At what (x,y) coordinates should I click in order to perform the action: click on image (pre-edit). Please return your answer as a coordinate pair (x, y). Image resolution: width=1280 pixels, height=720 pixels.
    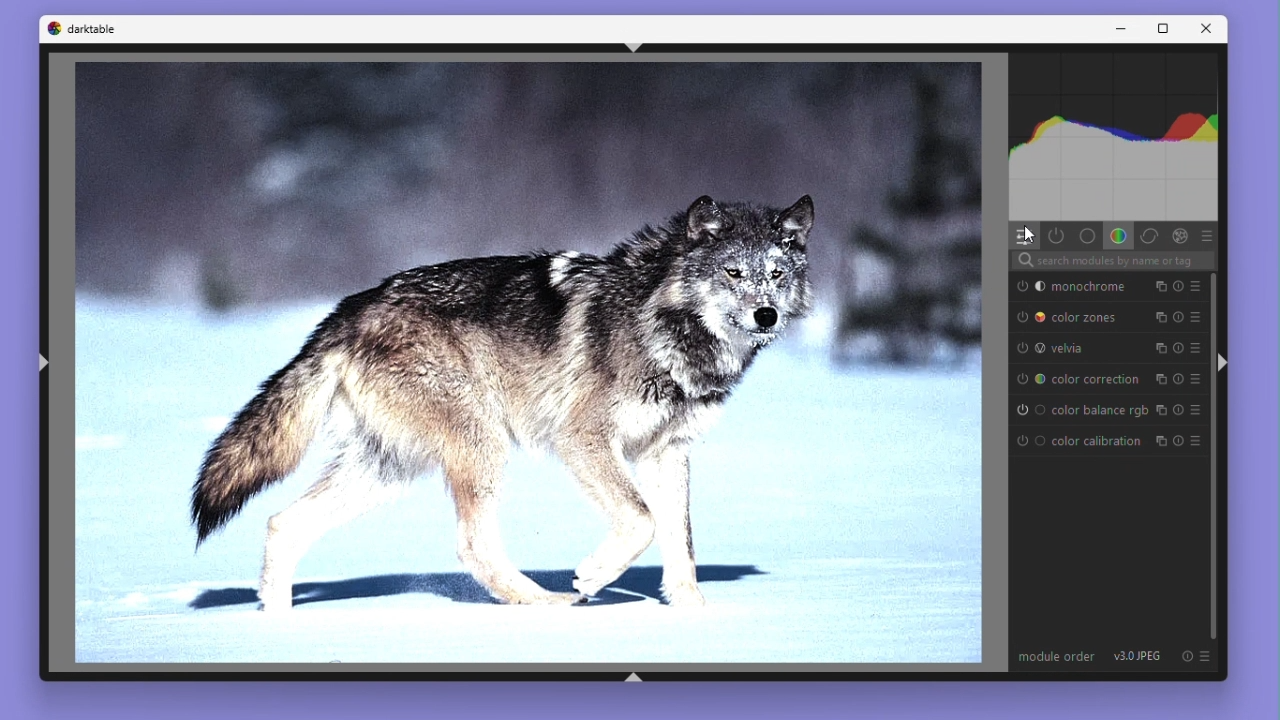
    Looking at the image, I should click on (526, 365).